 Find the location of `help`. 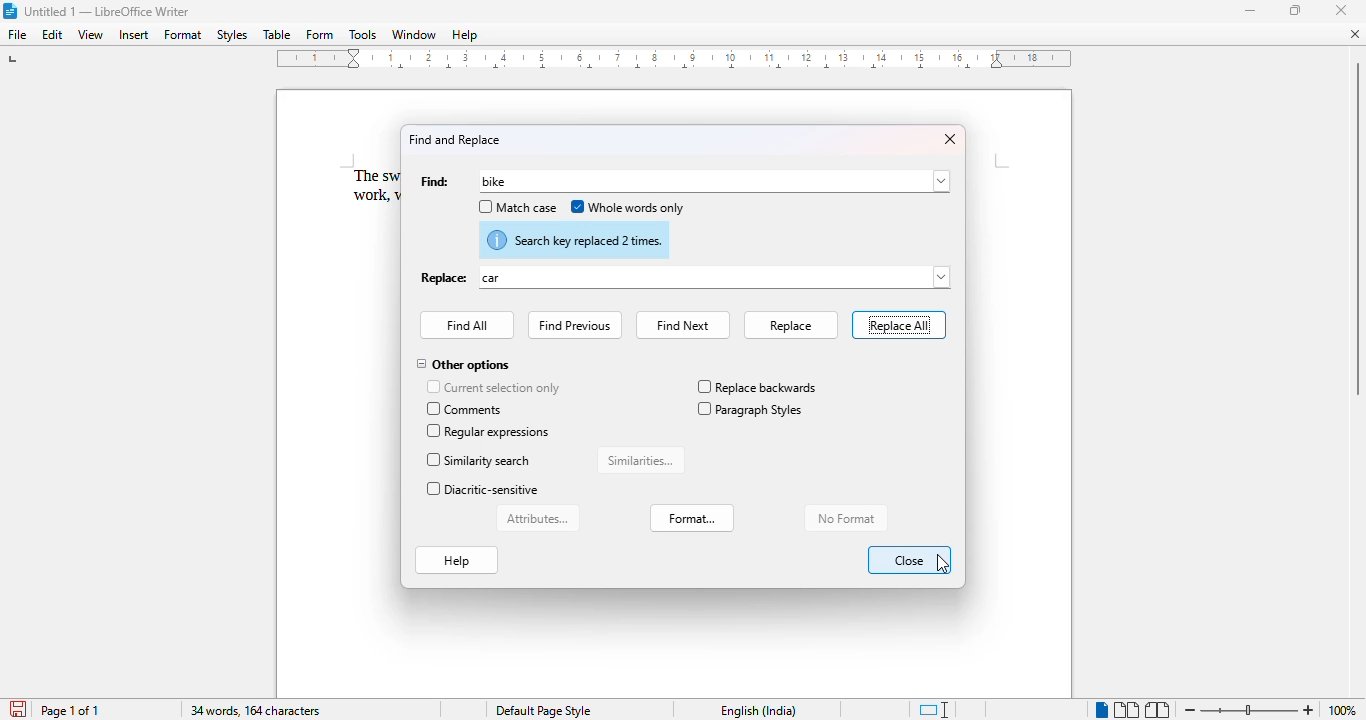

help is located at coordinates (457, 561).